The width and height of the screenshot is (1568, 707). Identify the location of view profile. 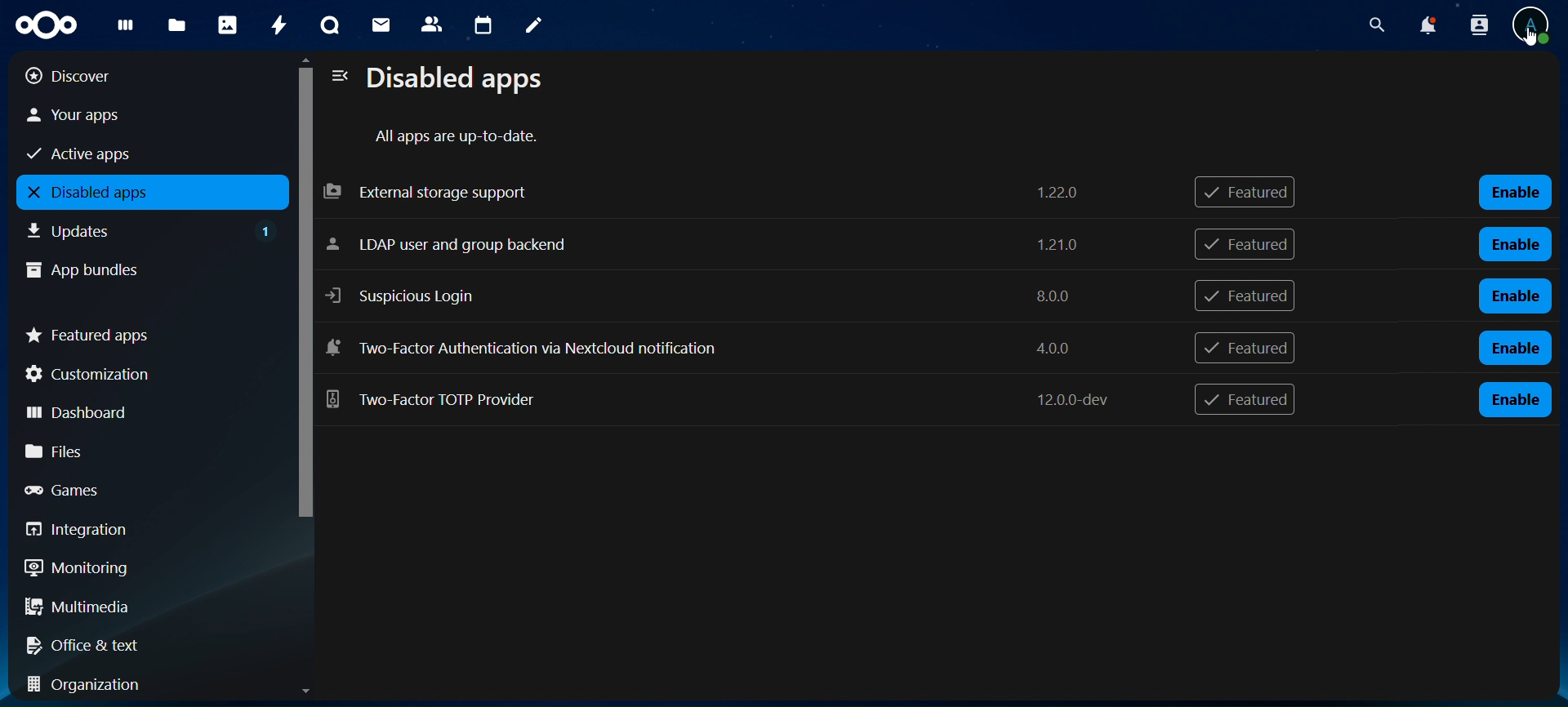
(1534, 20).